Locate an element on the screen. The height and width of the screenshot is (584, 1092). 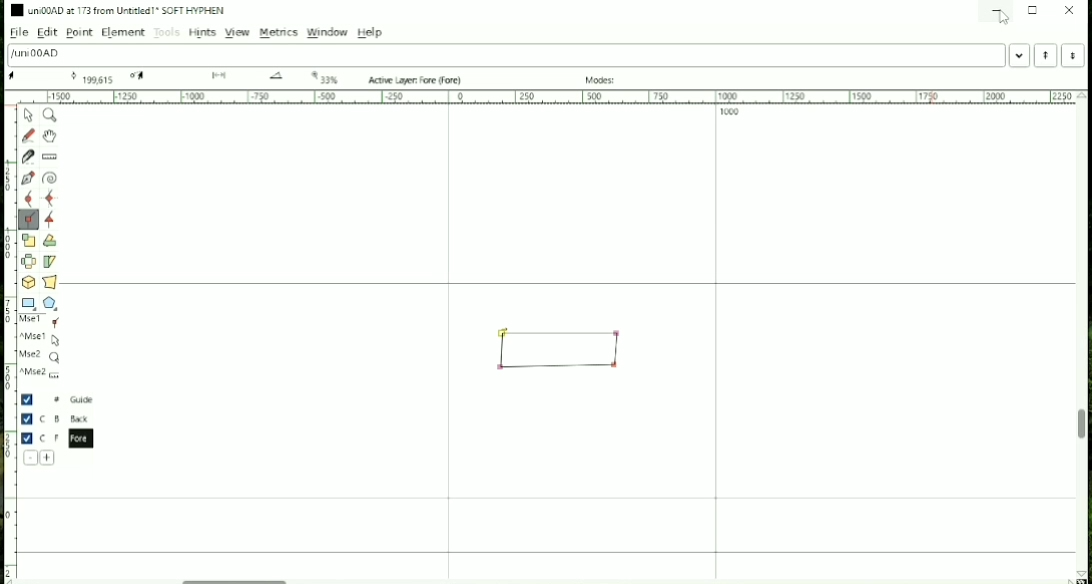
173 Oxad U+00AD "uni00AD" SOFT HYPHEN is located at coordinates (90, 76).